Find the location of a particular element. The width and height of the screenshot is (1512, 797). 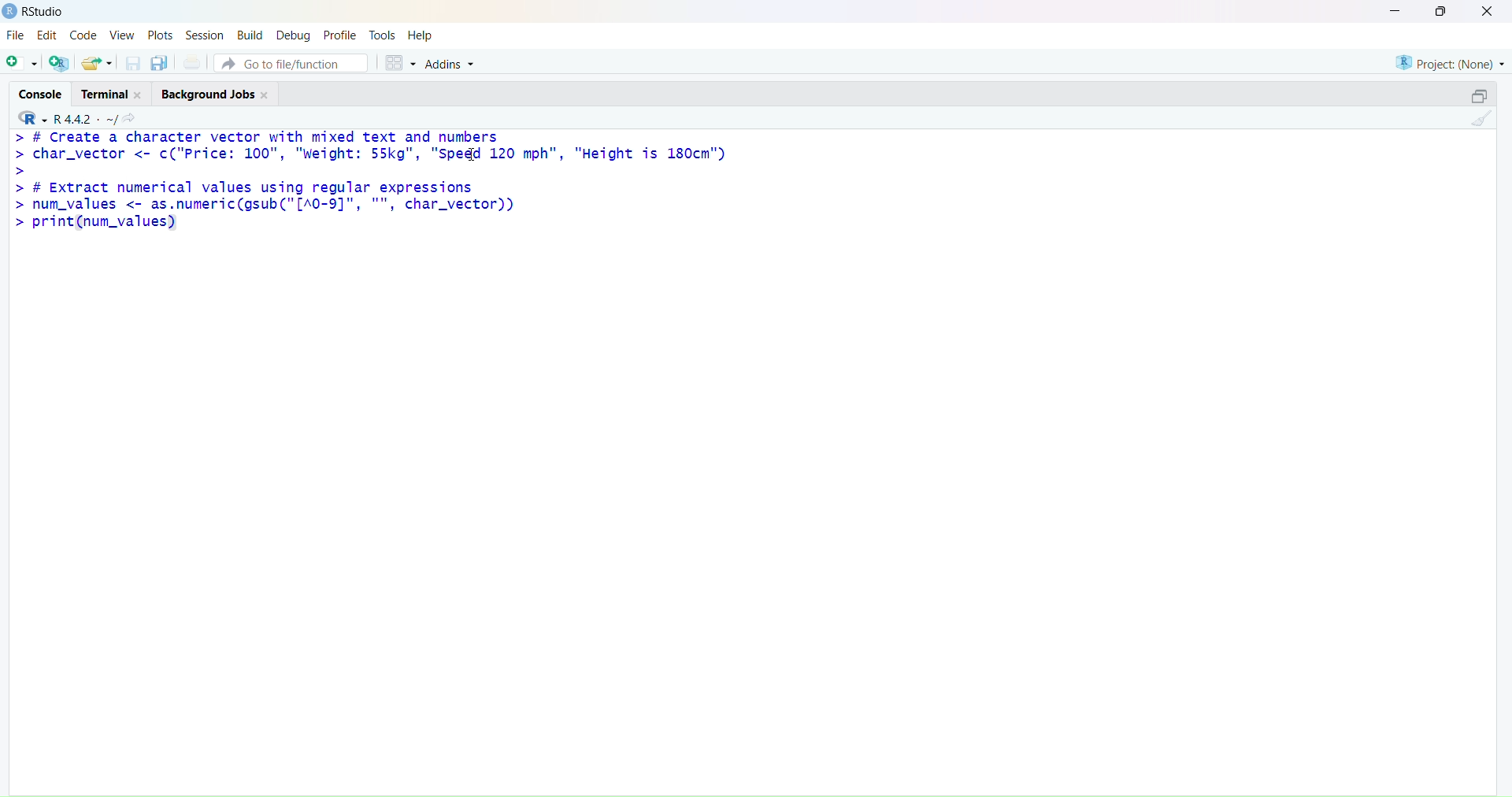

minimise is located at coordinates (1396, 10).